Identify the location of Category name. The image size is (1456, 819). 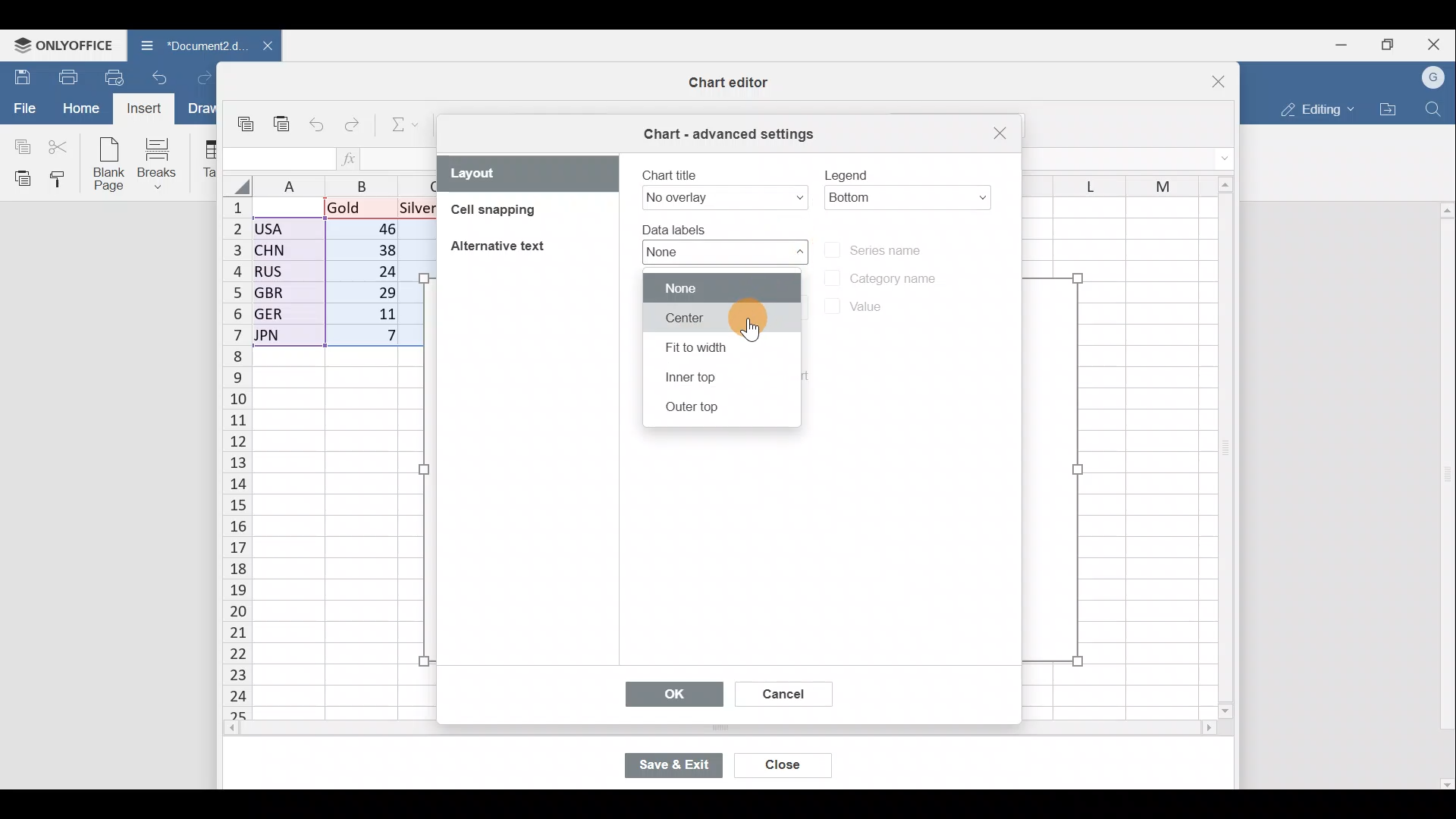
(882, 274).